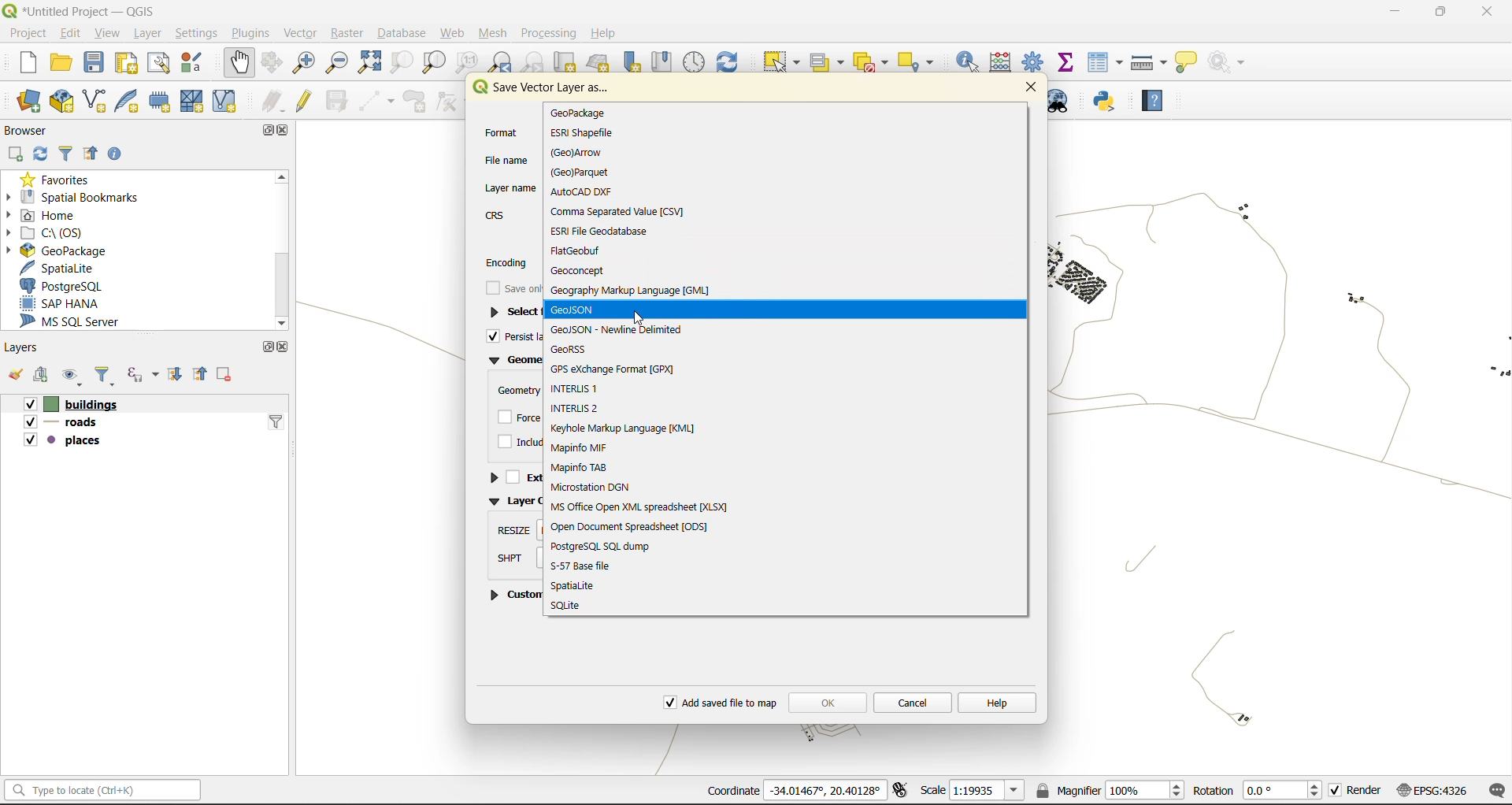 The image size is (1512, 805). Describe the element at coordinates (107, 35) in the screenshot. I see `view` at that location.